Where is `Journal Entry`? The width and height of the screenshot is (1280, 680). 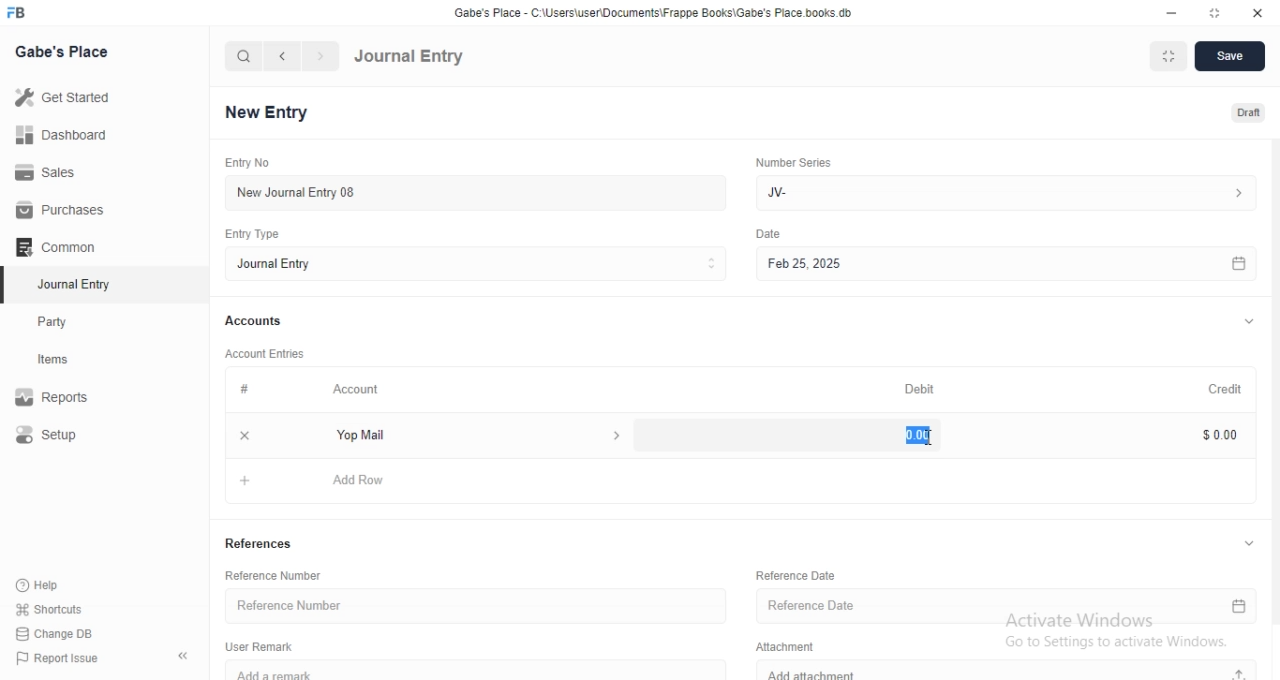
Journal Entry is located at coordinates (410, 57).